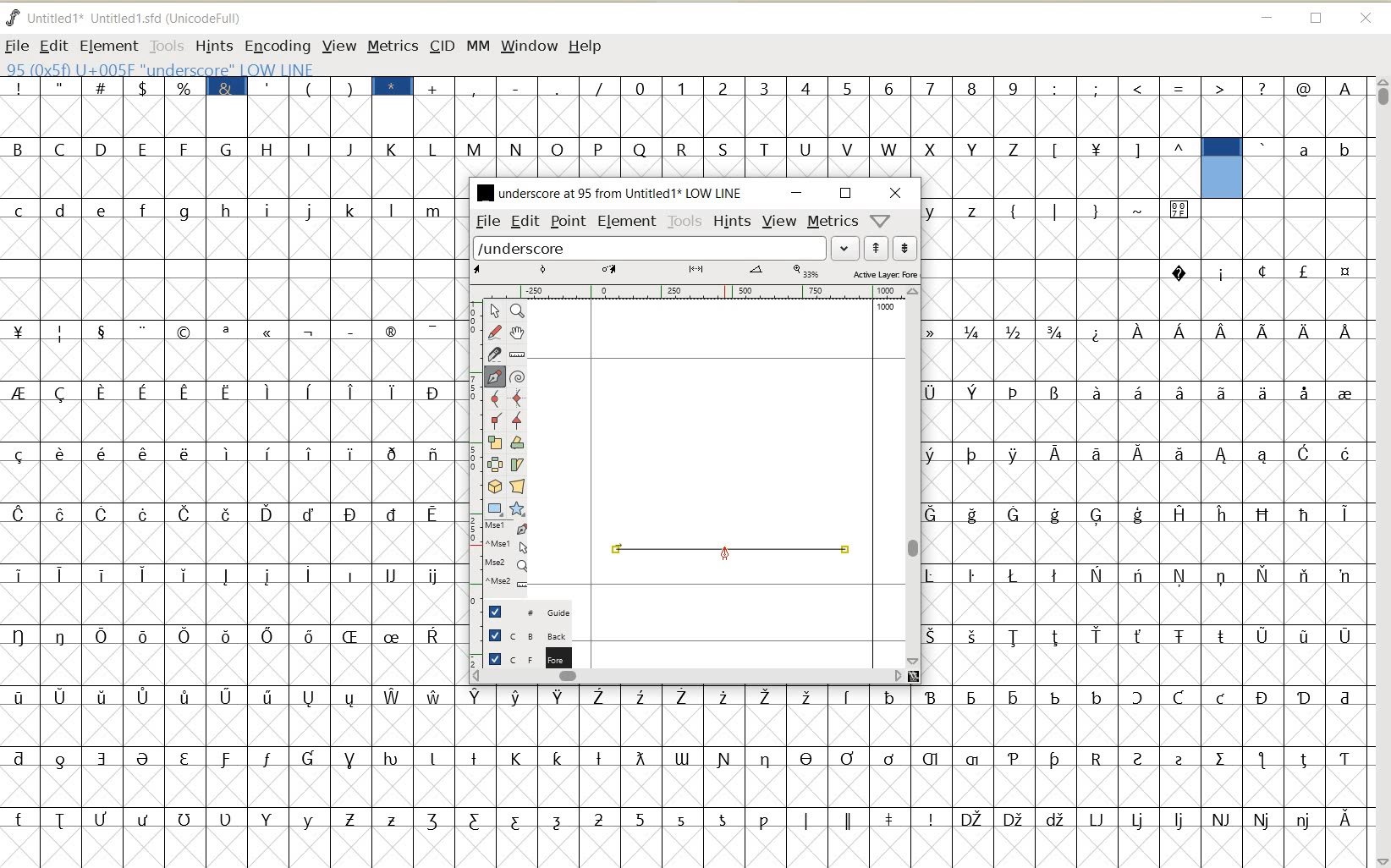  I want to click on add a point, then drag out its control points, so click(495, 377).